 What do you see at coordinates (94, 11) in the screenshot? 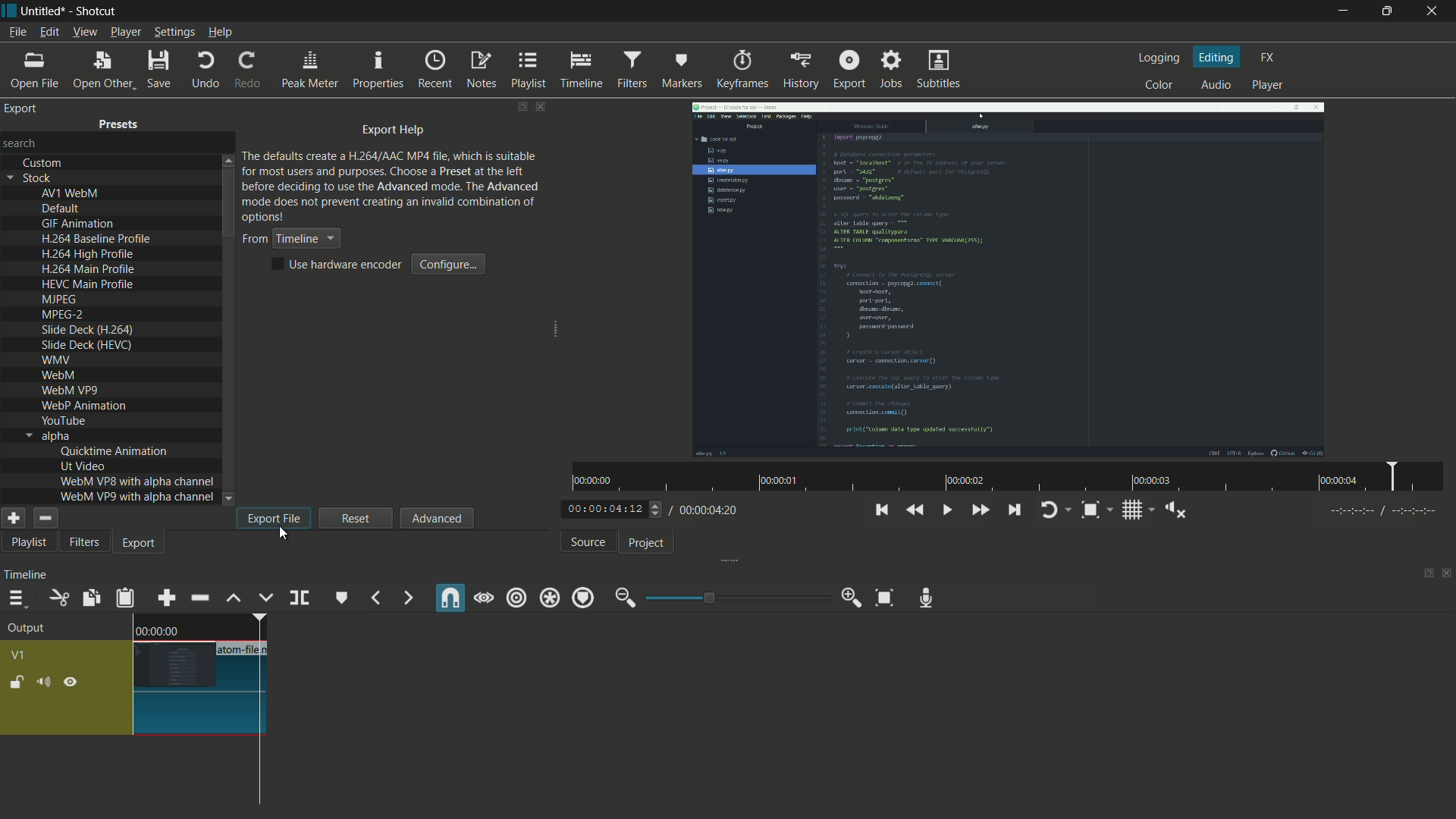
I see `app name` at bounding box center [94, 11].